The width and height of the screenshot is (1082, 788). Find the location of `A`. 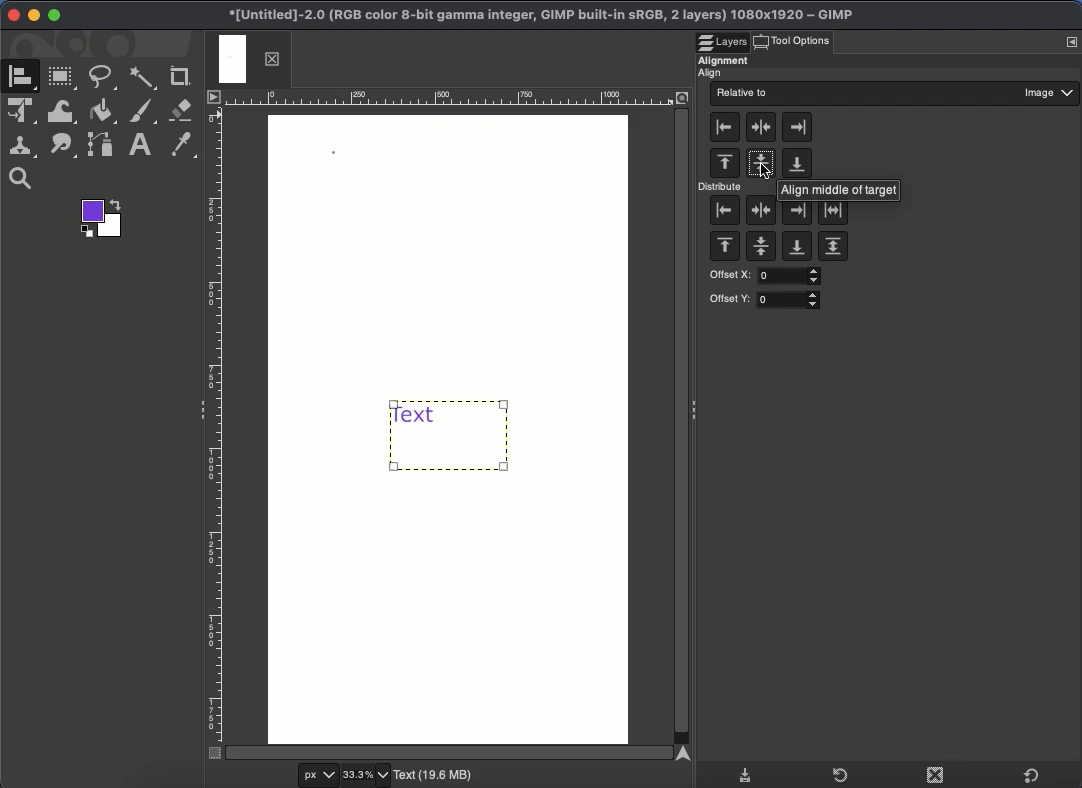

A is located at coordinates (24, 78).